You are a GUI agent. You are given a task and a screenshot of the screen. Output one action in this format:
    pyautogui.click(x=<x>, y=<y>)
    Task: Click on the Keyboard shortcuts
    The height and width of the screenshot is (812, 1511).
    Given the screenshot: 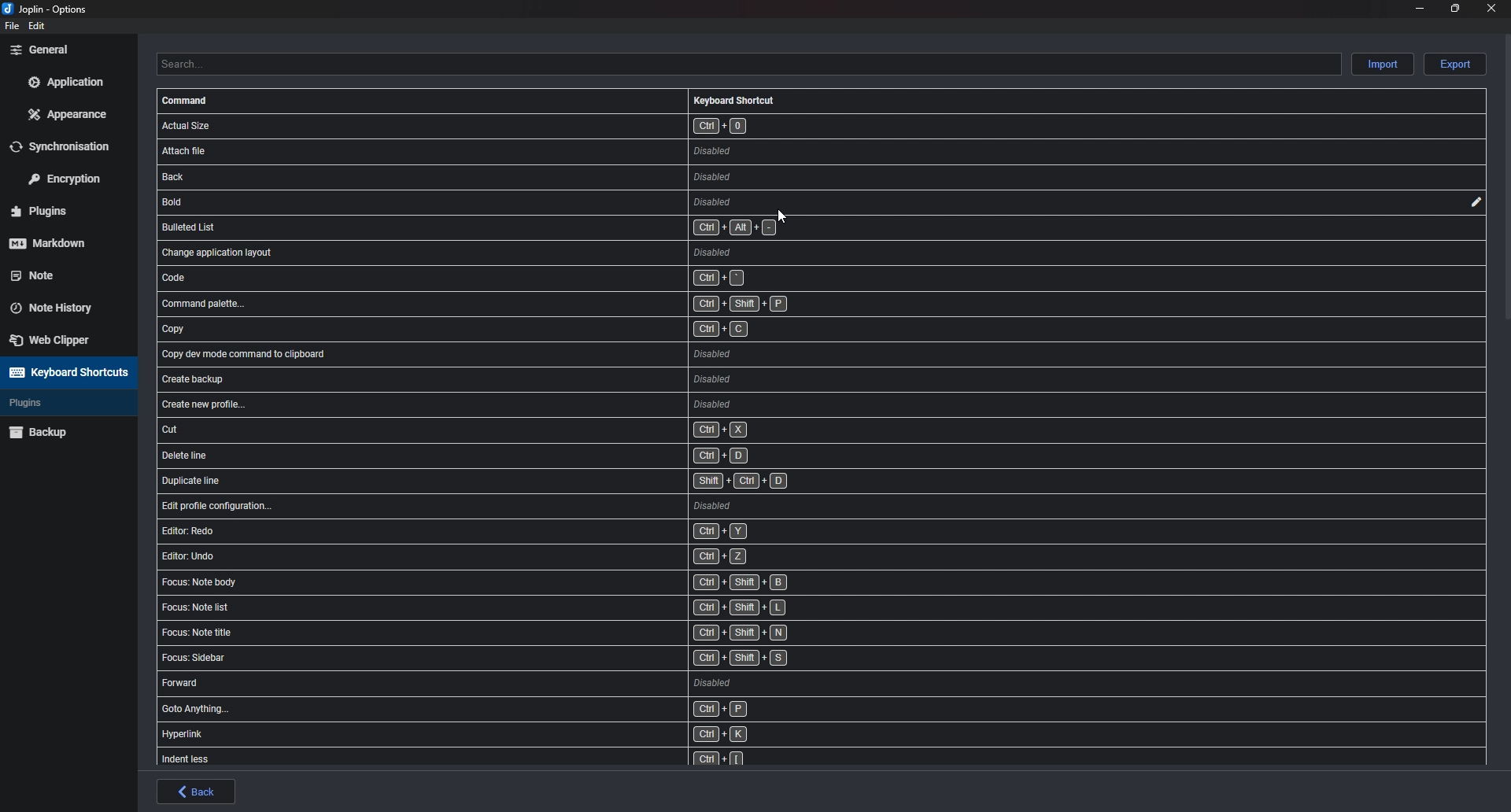 What is the action you would take?
    pyautogui.click(x=66, y=372)
    